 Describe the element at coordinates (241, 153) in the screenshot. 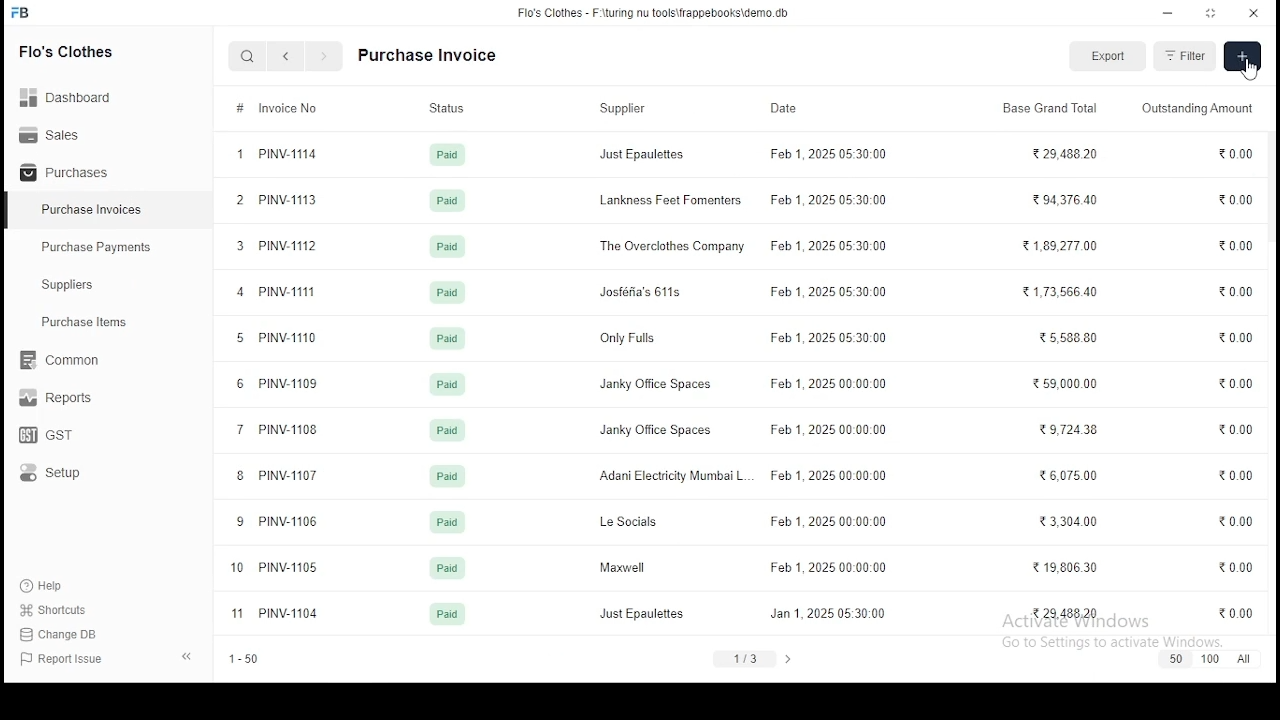

I see `1` at that location.